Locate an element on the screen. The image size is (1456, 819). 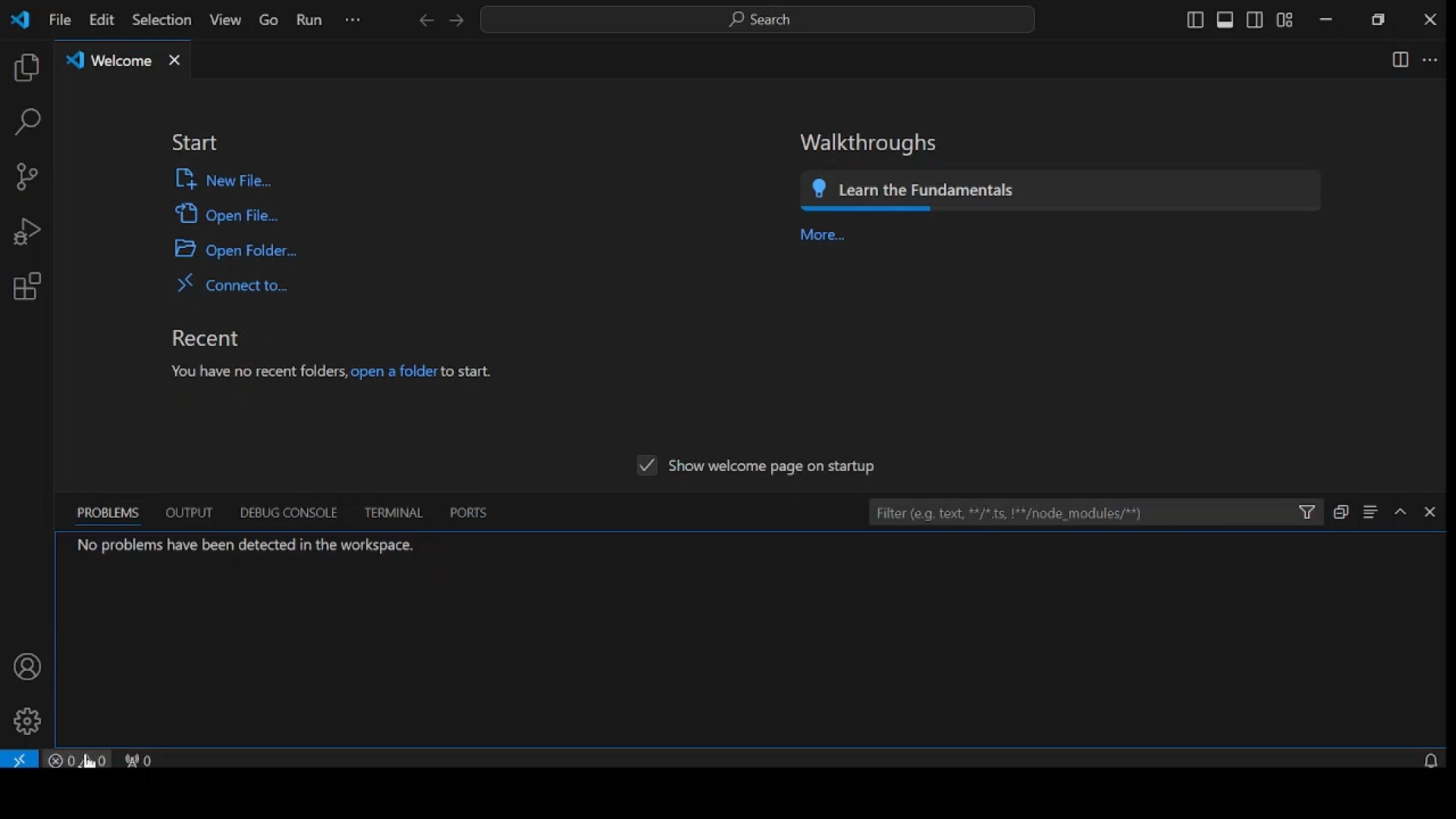
Tick is located at coordinates (644, 467).